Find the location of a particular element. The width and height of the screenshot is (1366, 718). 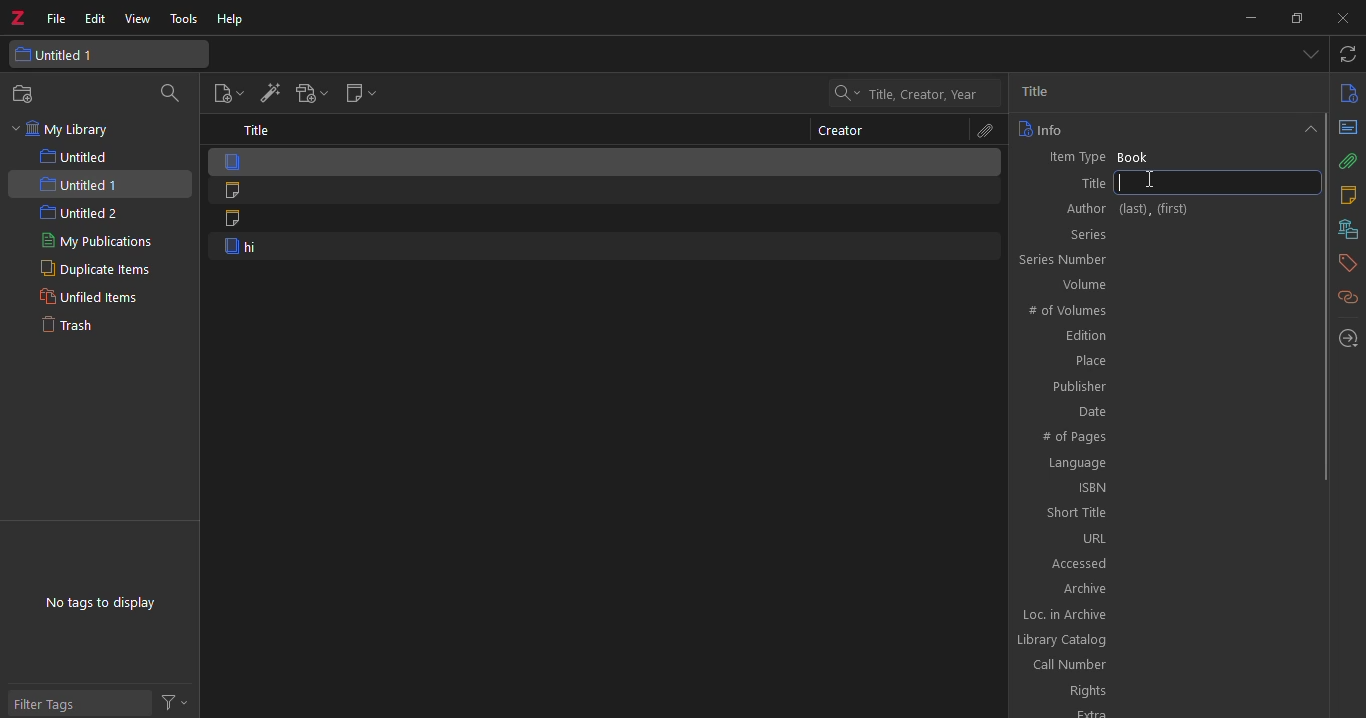

Edition is located at coordinates (1165, 337).